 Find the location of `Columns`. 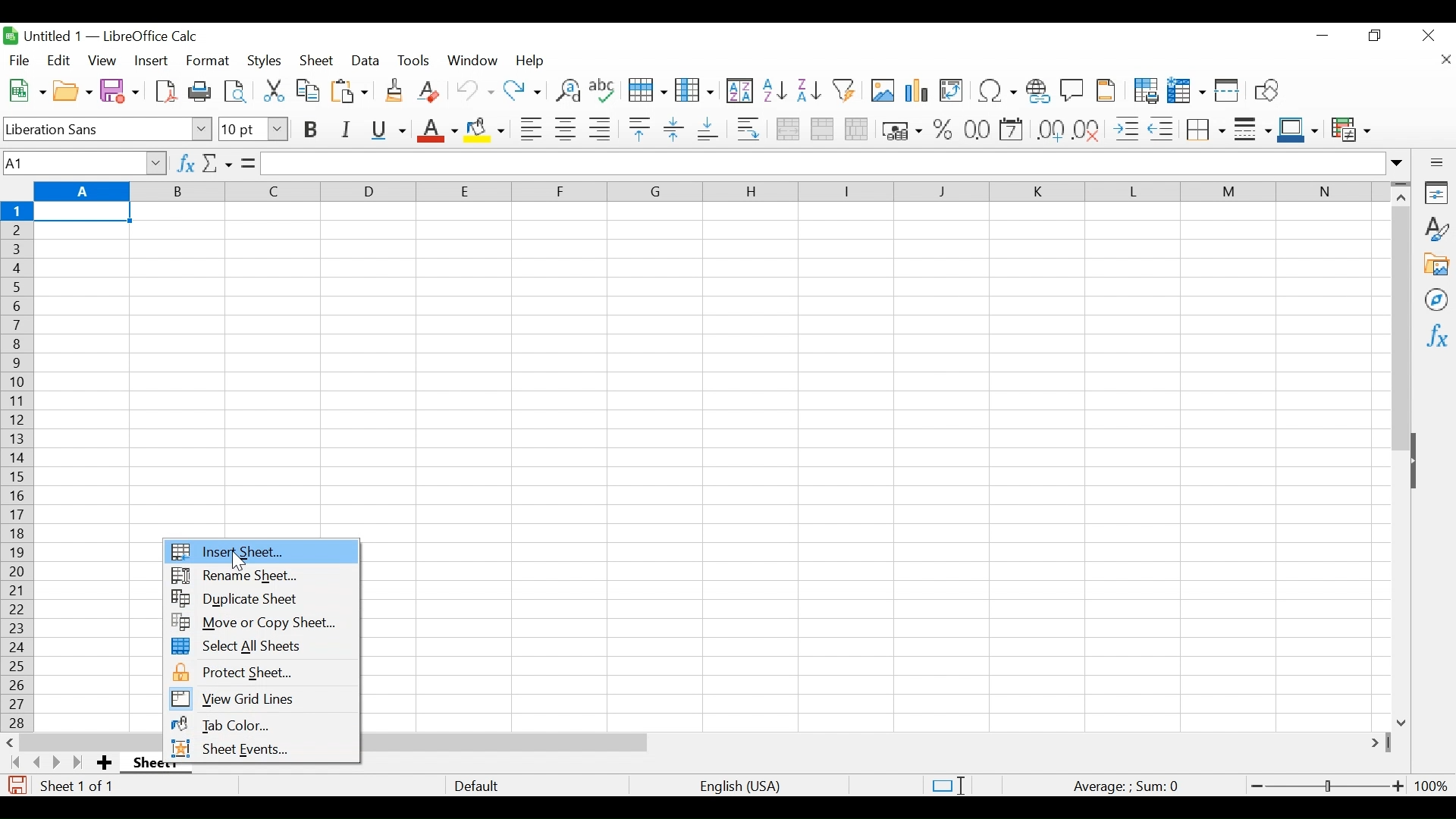

Columns is located at coordinates (711, 191).